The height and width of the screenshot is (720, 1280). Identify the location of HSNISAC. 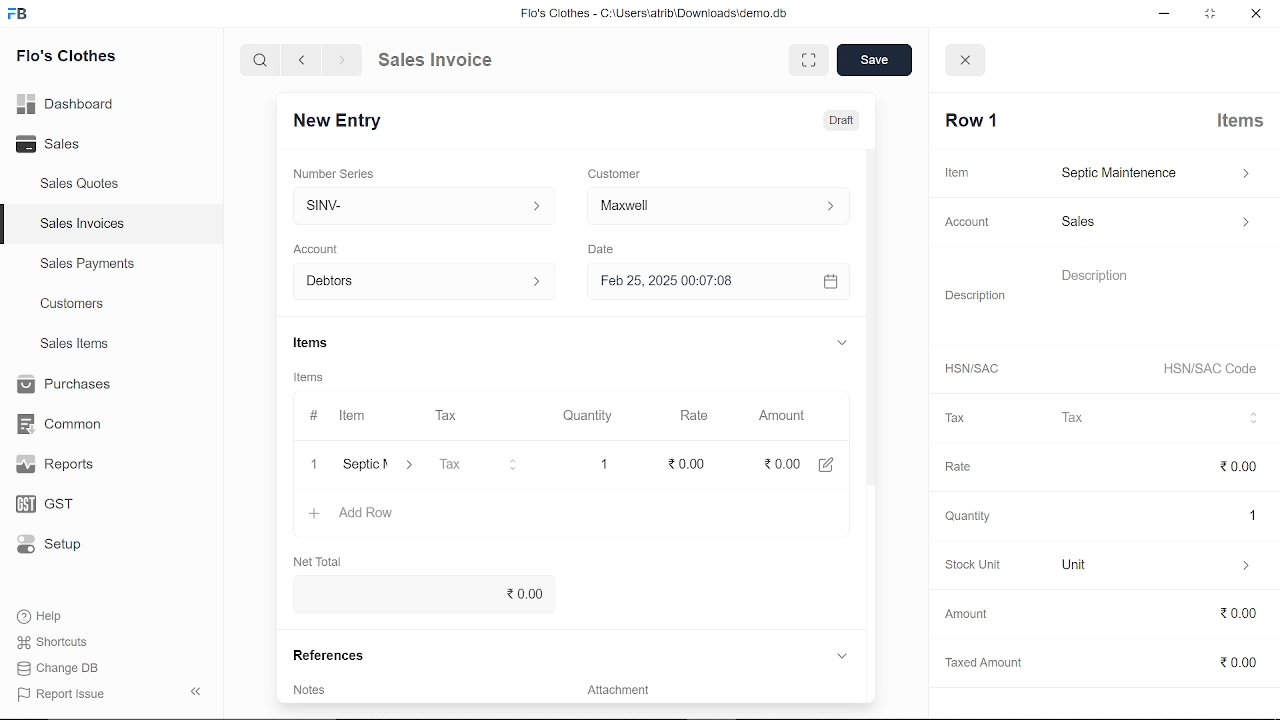
(972, 369).